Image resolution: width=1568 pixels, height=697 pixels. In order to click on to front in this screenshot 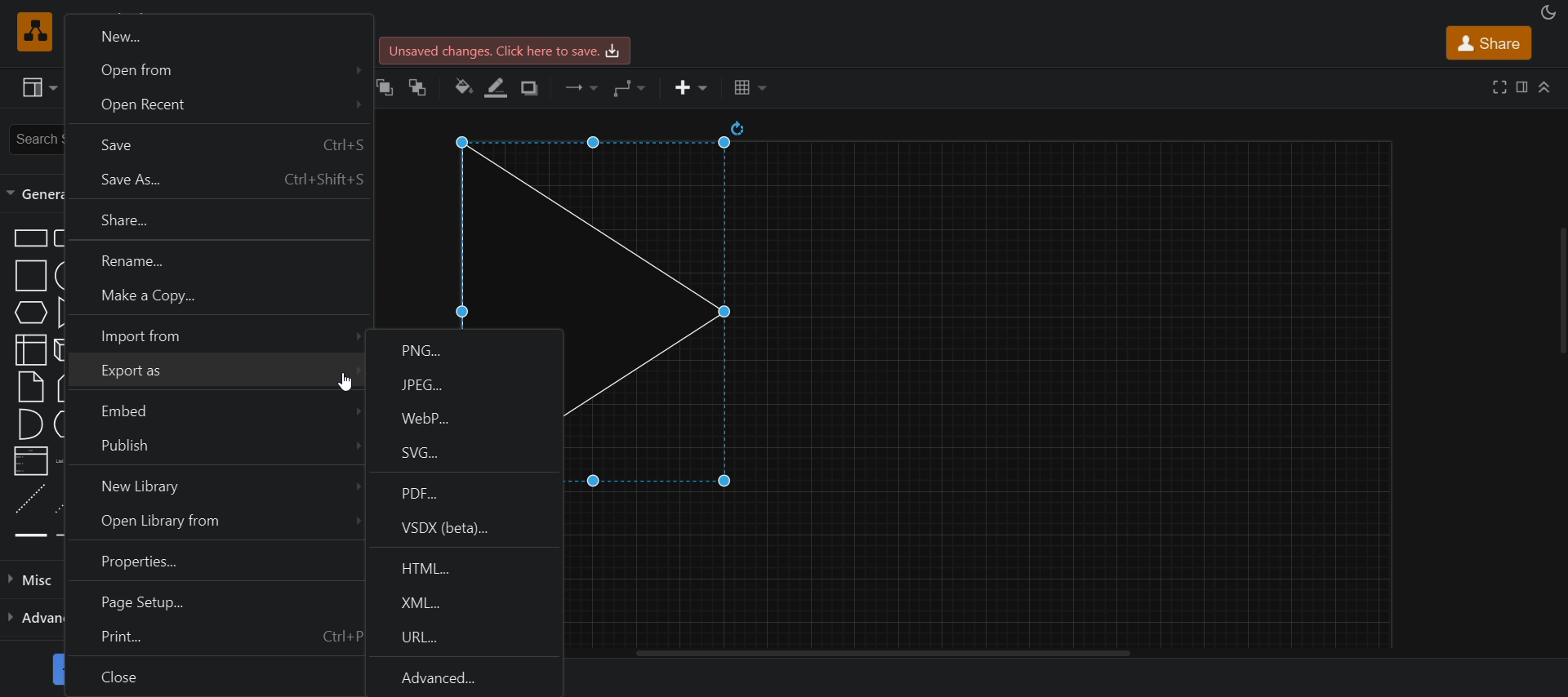, I will do `click(385, 86)`.